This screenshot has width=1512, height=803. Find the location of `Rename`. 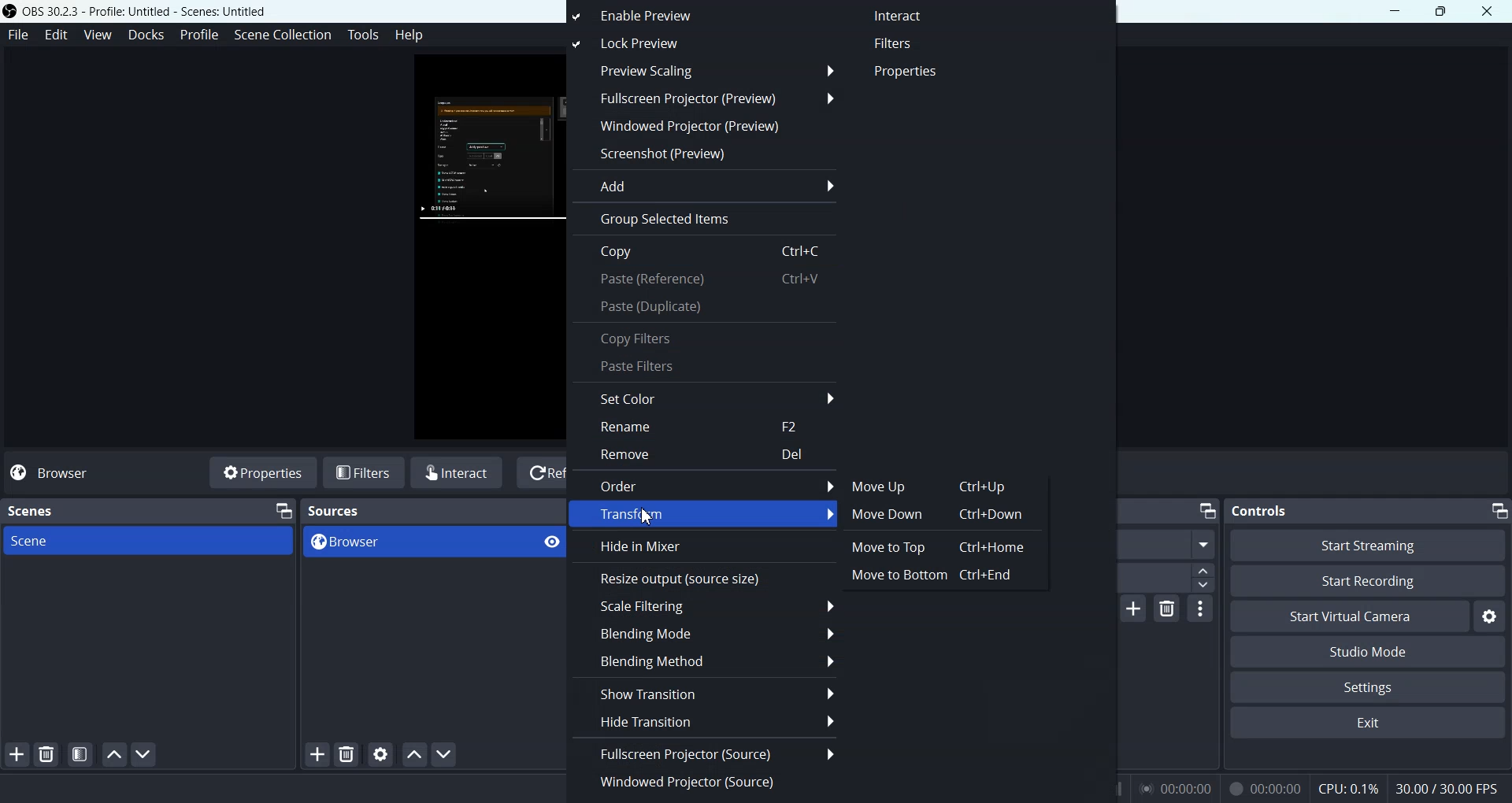

Rename is located at coordinates (706, 427).